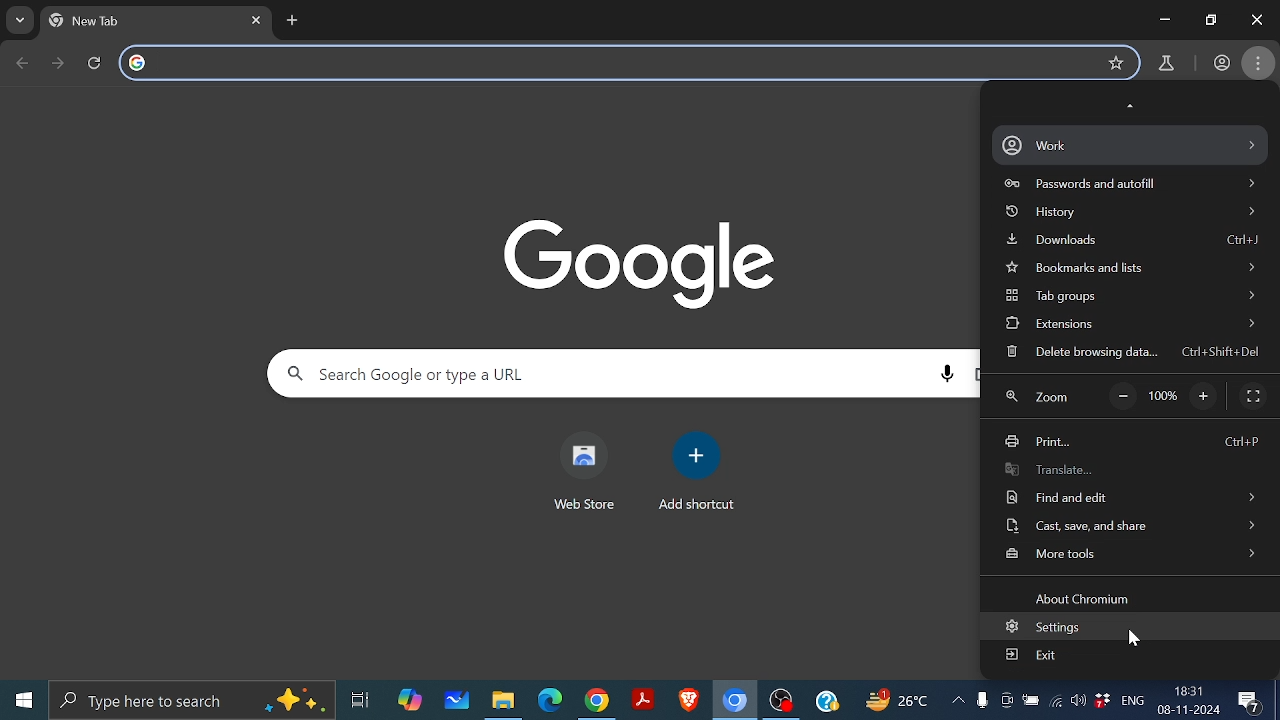 This screenshot has width=1280, height=720. I want to click on Search tabs, so click(21, 21).